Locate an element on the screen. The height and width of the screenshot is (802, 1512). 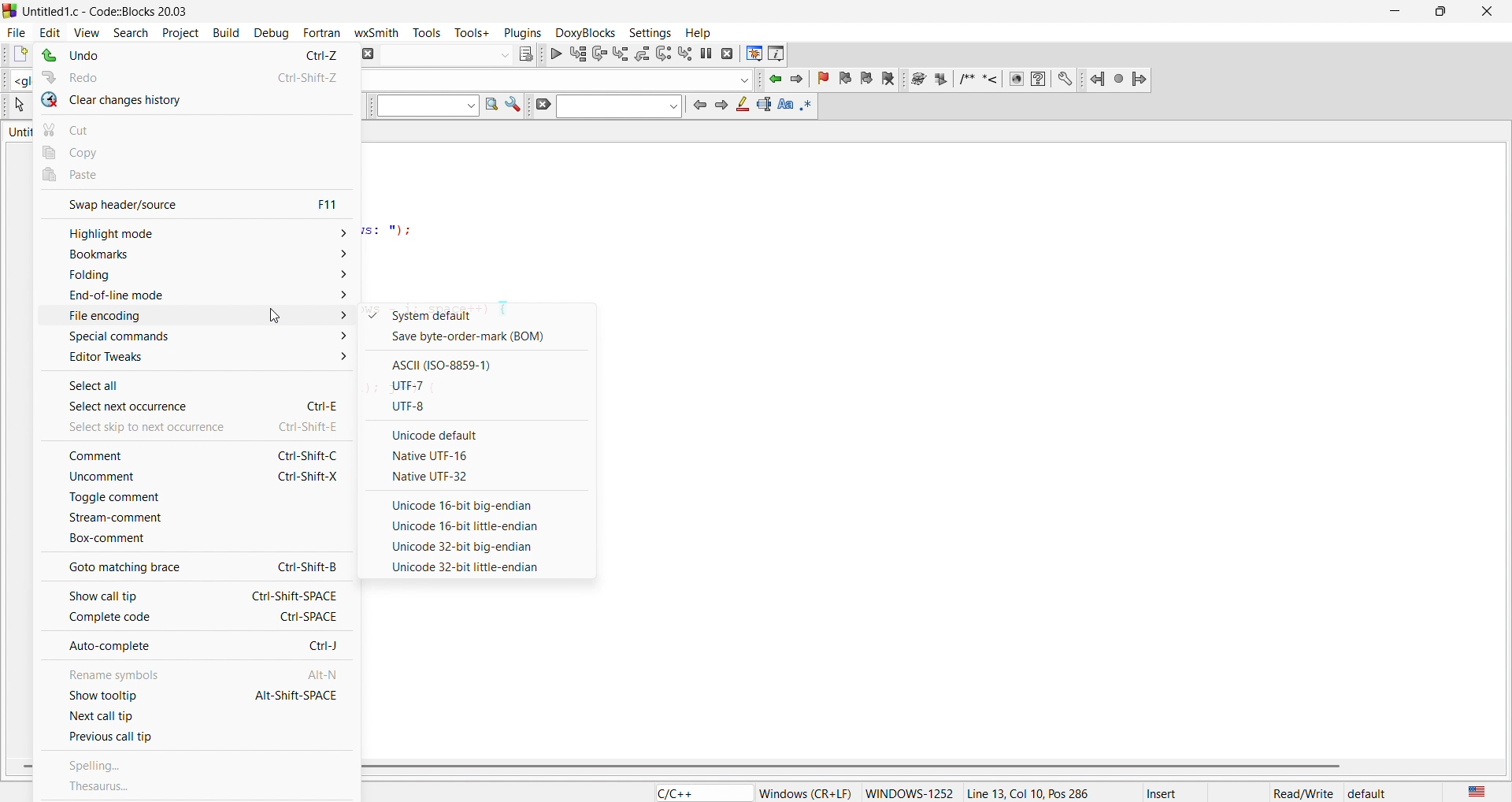
native utf-16 is located at coordinates (478, 453).